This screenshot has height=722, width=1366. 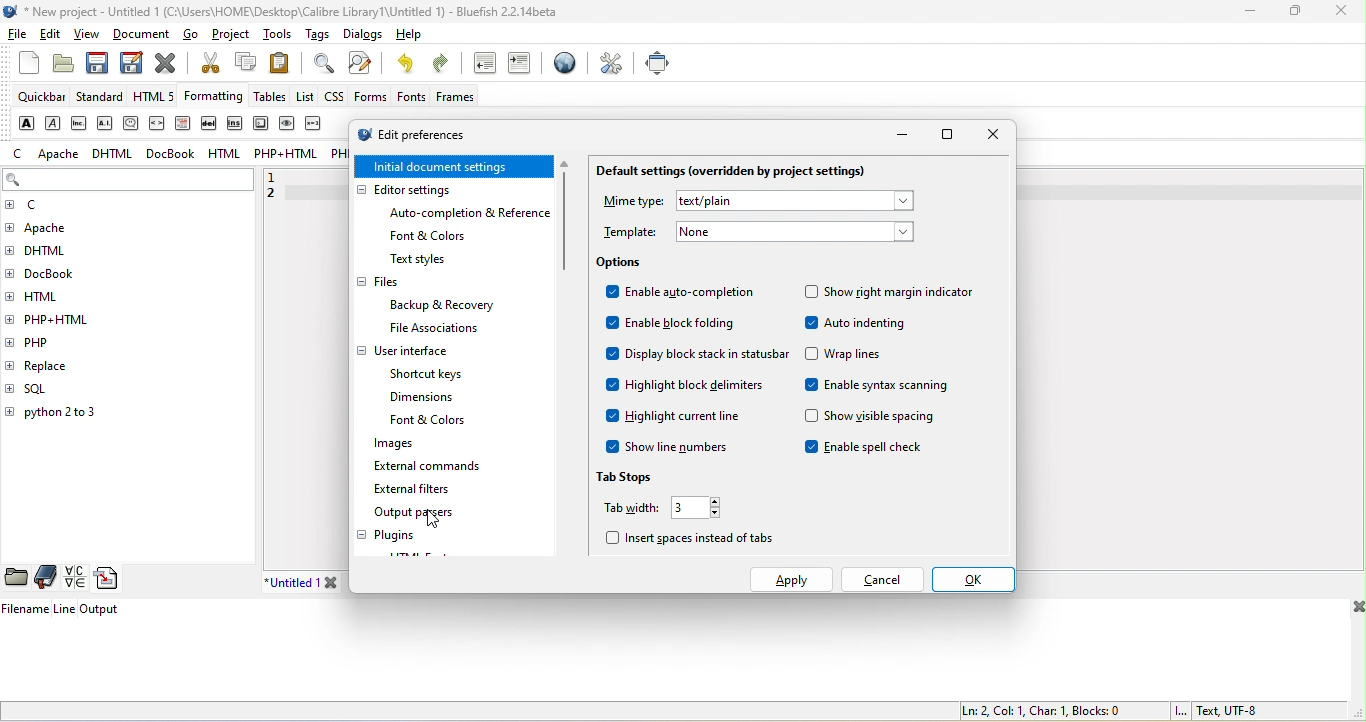 I want to click on files, so click(x=380, y=284).